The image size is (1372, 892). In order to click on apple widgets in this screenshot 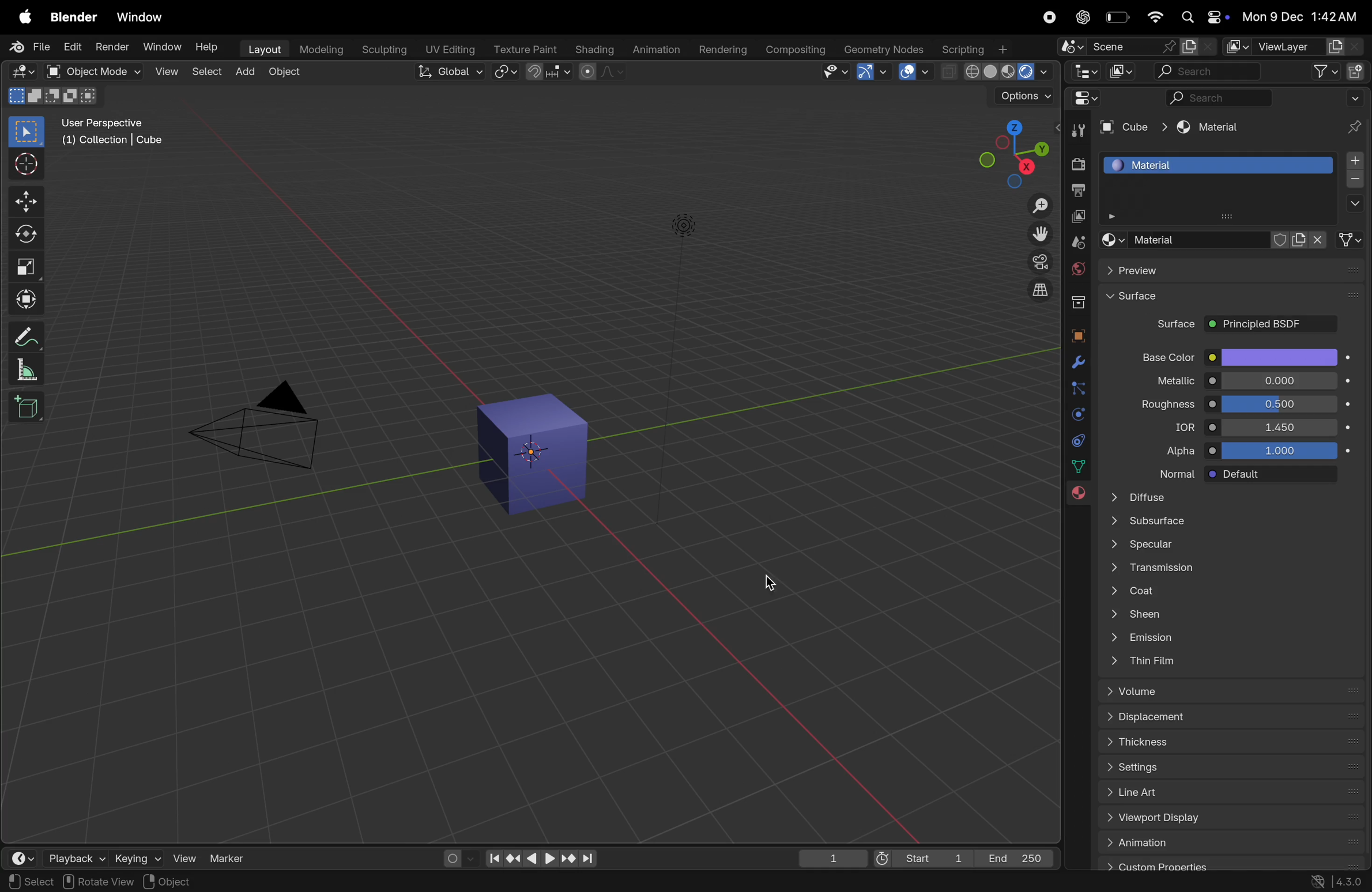, I will do `click(1203, 17)`.